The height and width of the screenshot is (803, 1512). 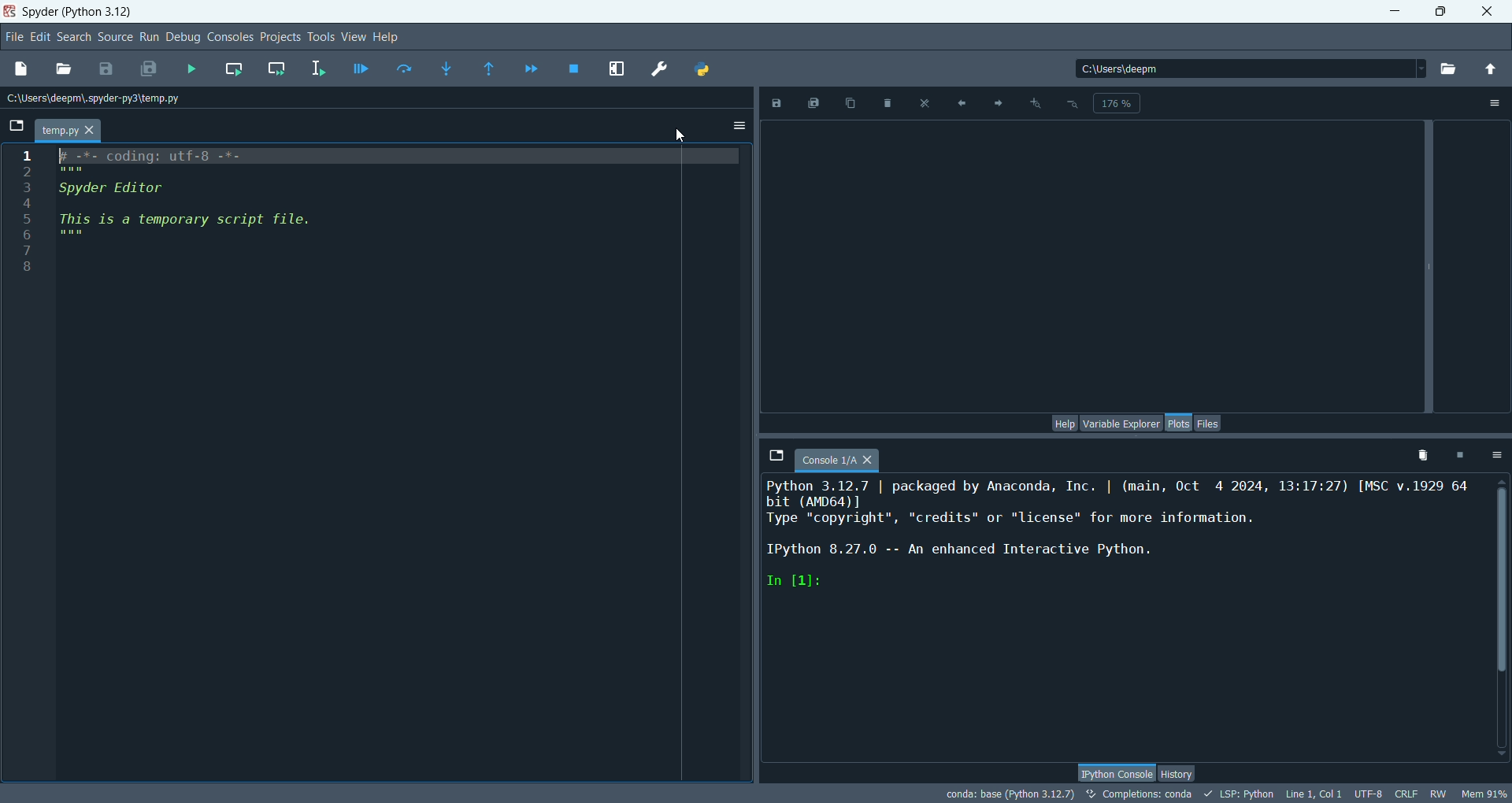 I want to click on save, so click(x=106, y=67).